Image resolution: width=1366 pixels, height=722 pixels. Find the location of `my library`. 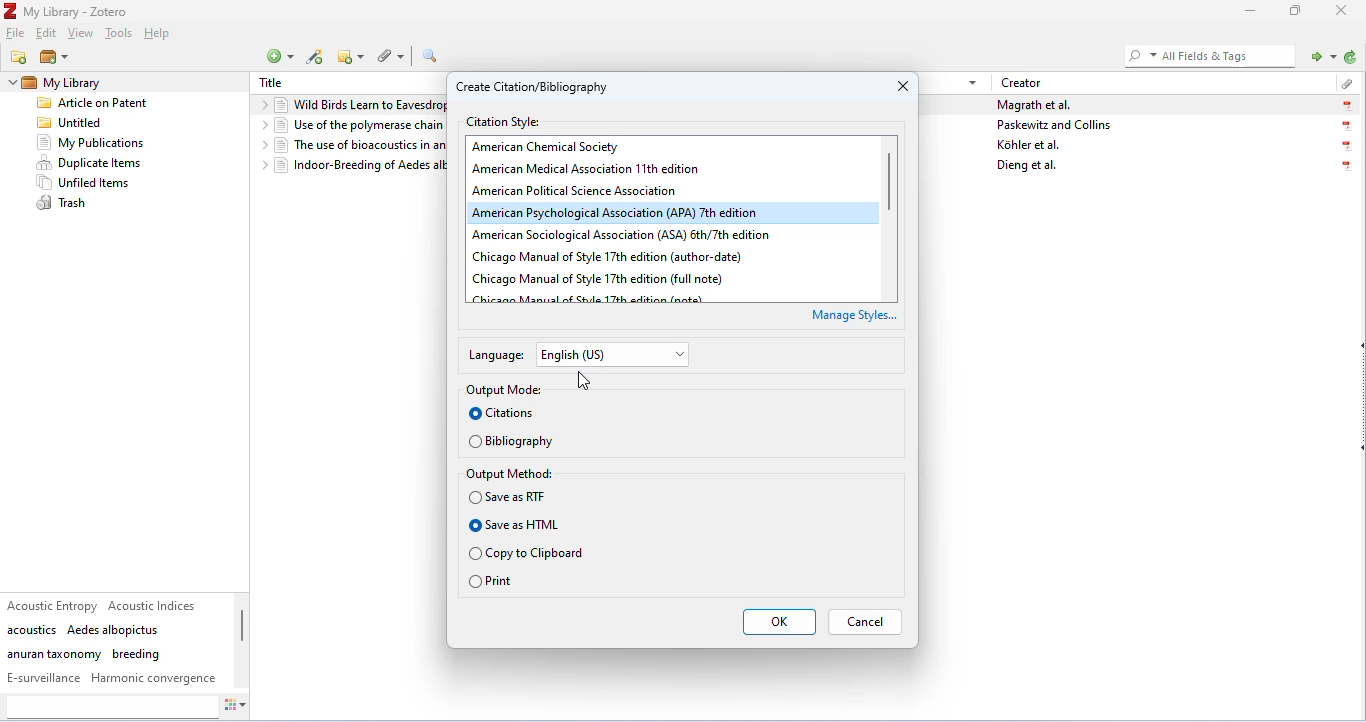

my library is located at coordinates (86, 82).